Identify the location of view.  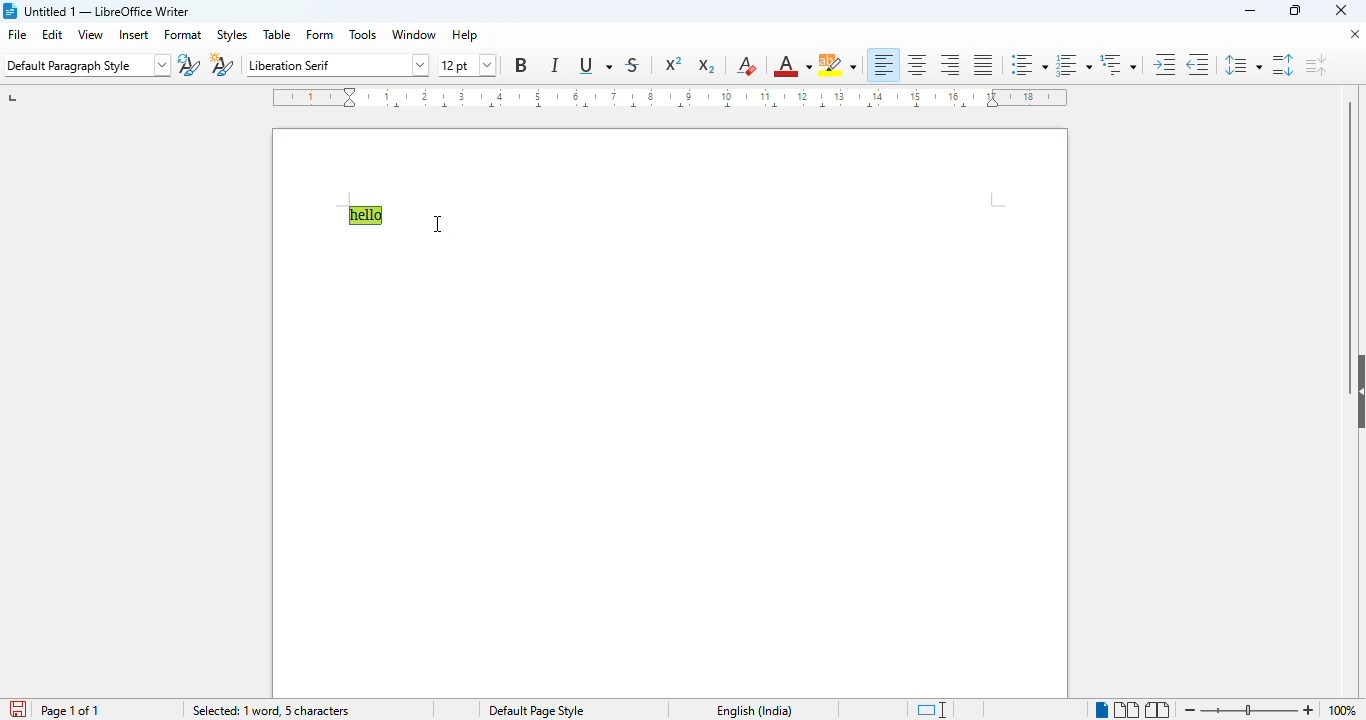
(90, 34).